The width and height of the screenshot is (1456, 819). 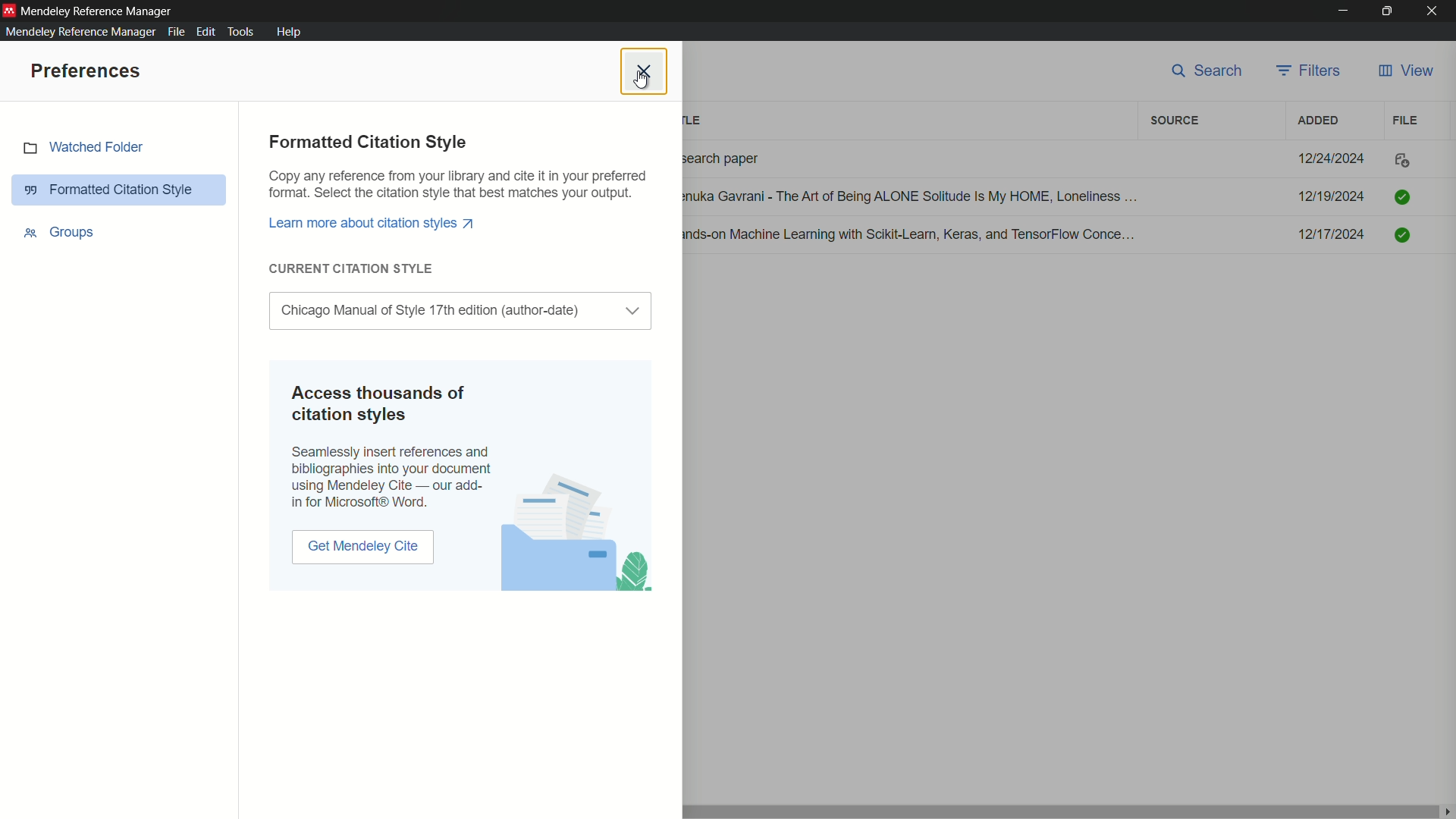 What do you see at coordinates (365, 547) in the screenshot?
I see `get mendeley cite` at bounding box center [365, 547].